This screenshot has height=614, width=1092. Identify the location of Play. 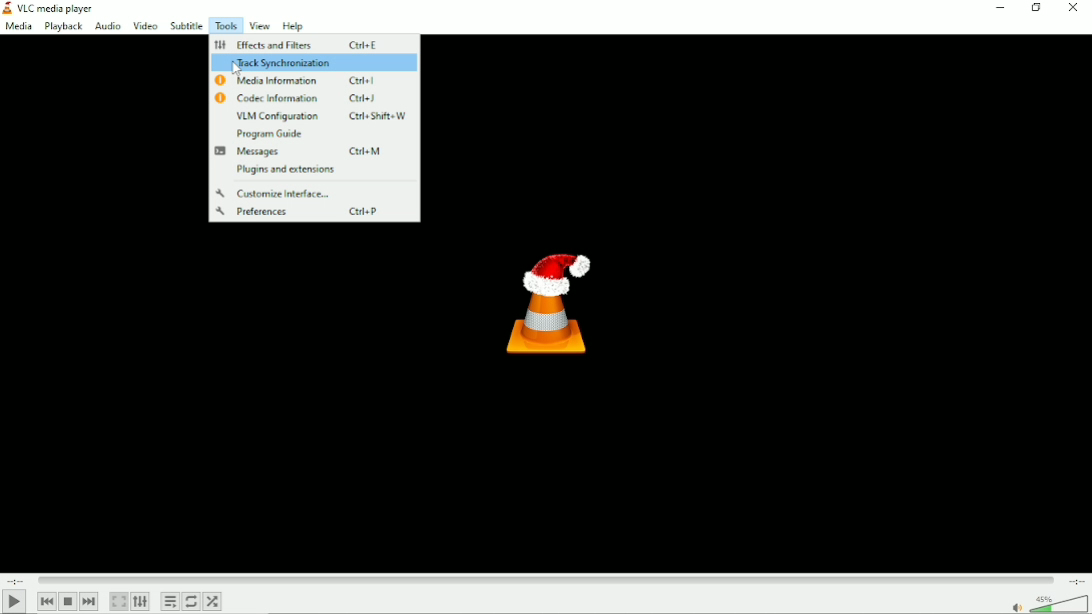
(14, 602).